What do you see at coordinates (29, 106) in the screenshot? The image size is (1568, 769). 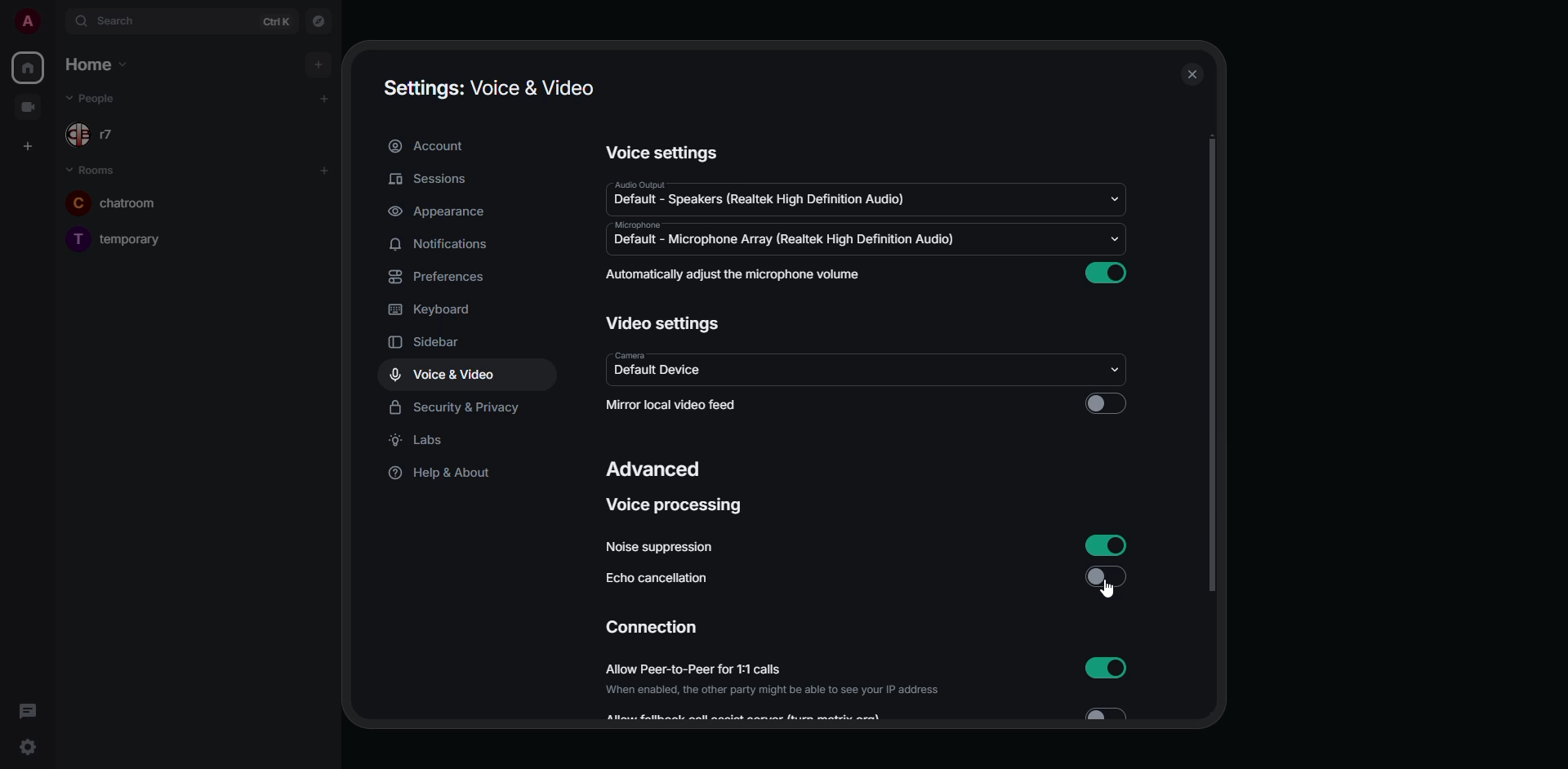 I see `video room` at bounding box center [29, 106].